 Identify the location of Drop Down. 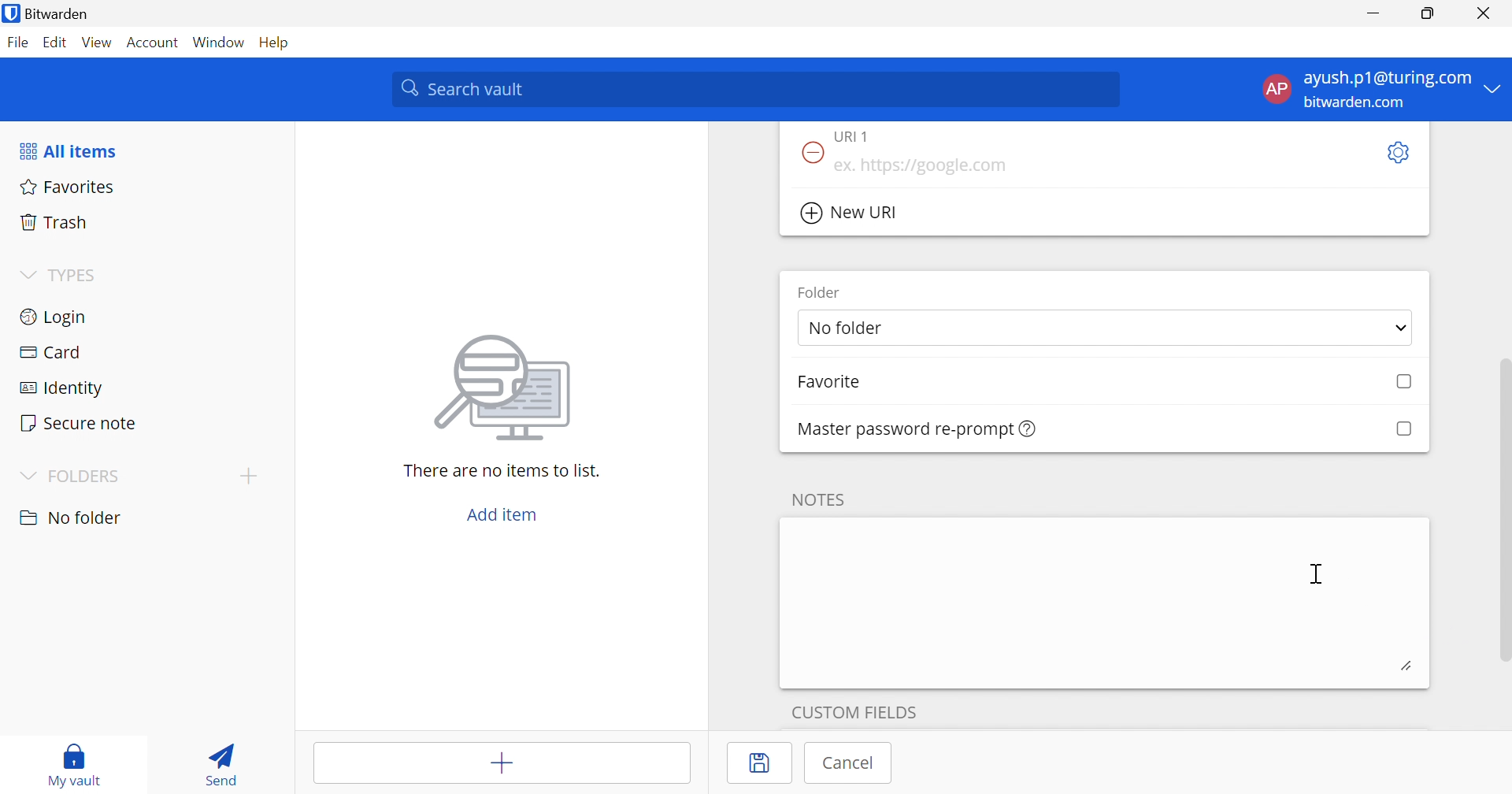
(248, 475).